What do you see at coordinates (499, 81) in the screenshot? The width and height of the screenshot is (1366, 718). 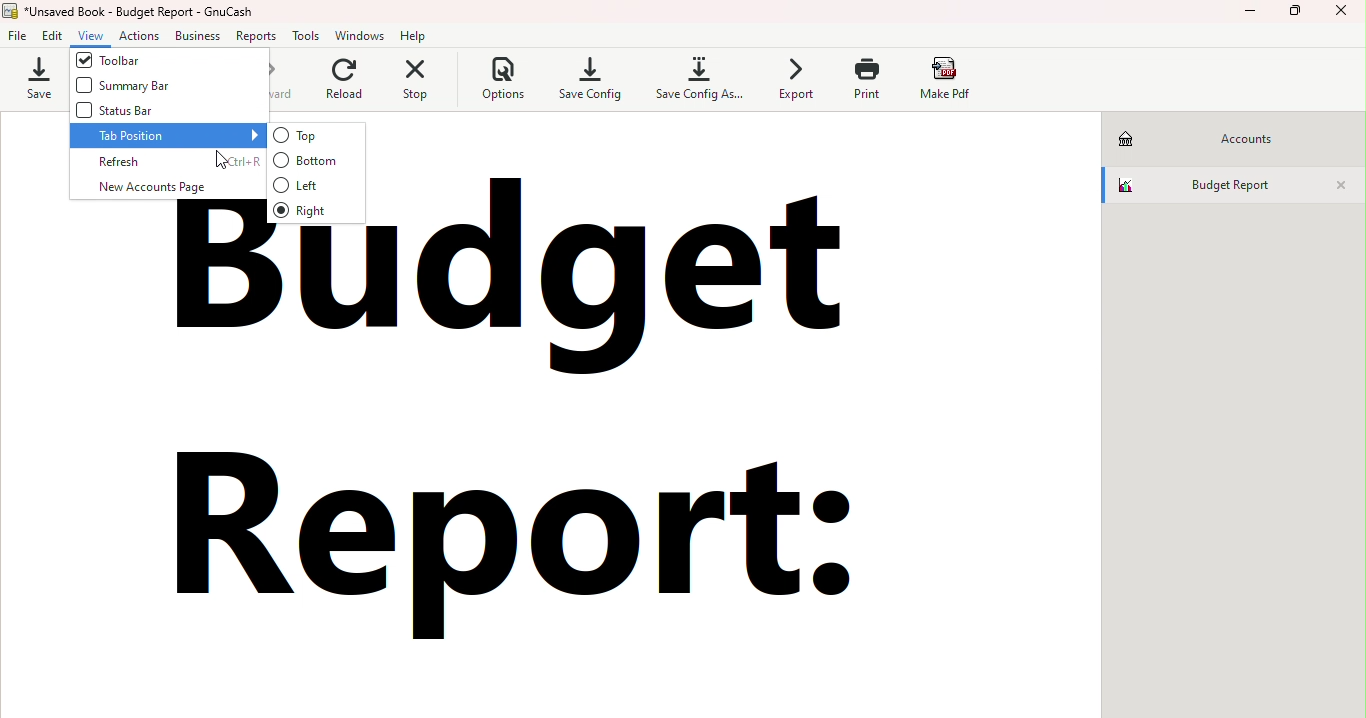 I see `Options` at bounding box center [499, 81].